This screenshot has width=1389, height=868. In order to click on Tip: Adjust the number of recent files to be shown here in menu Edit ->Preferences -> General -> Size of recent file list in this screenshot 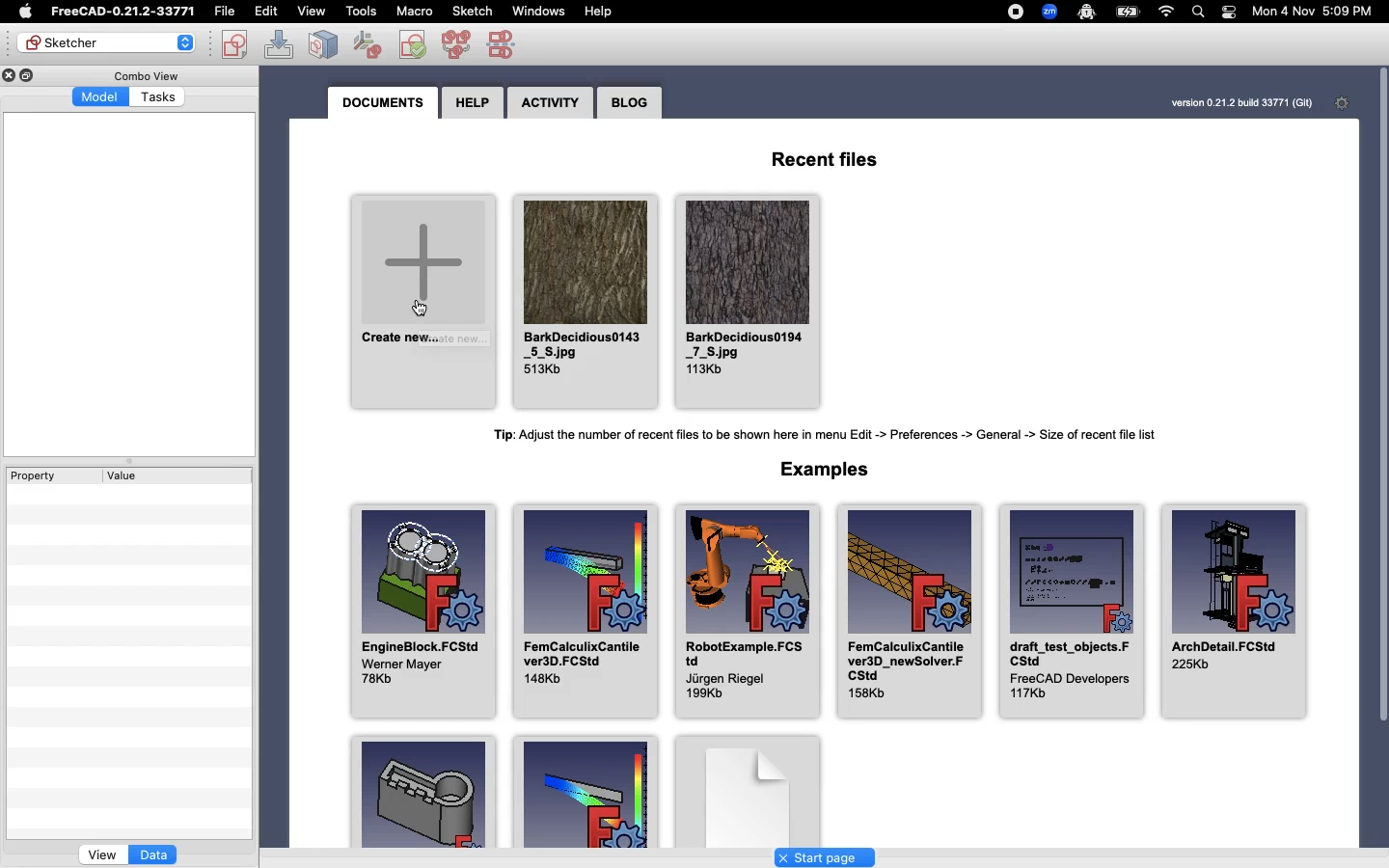, I will do `click(813, 433)`.